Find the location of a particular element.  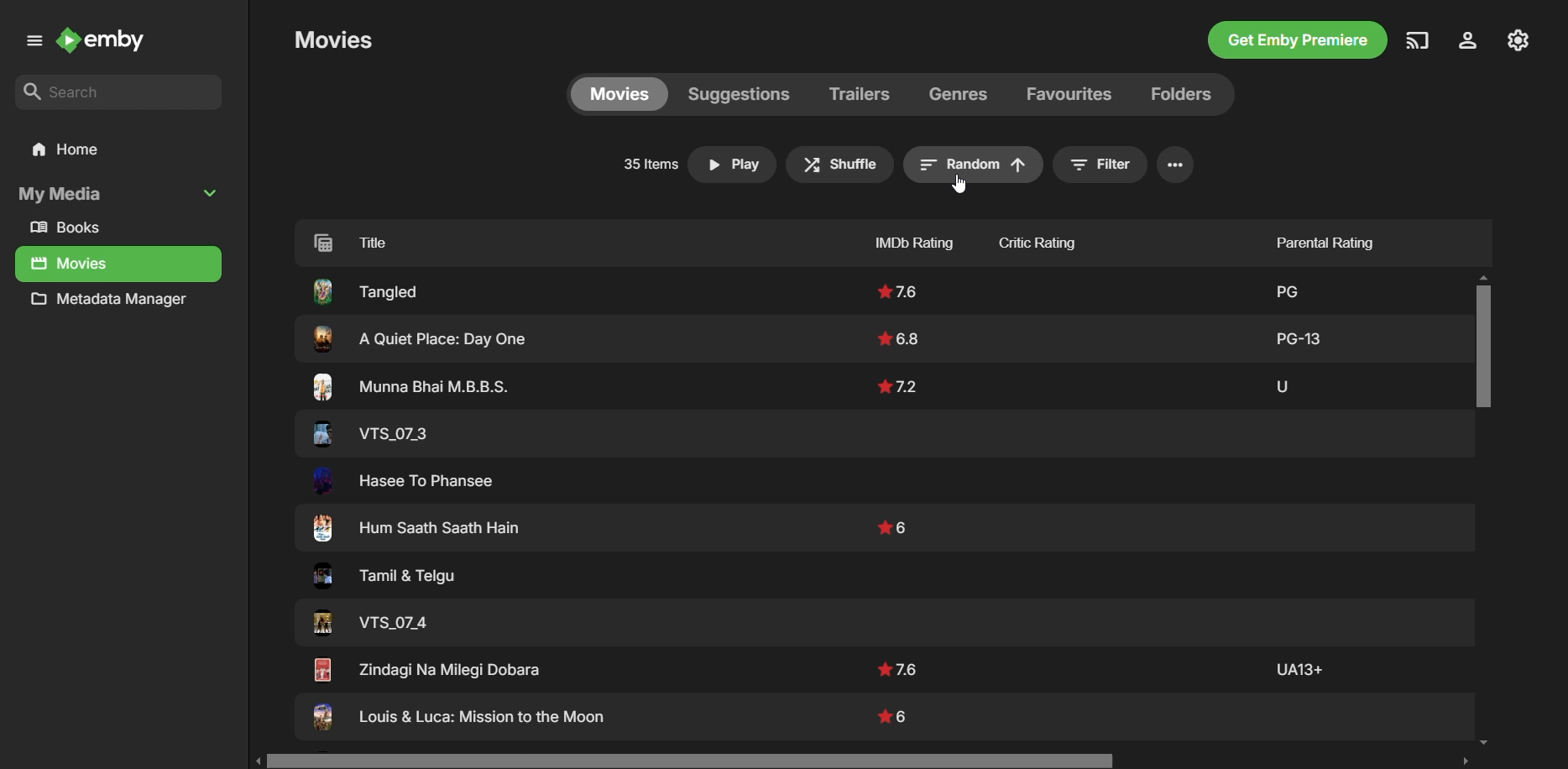

Settings is located at coordinates (1175, 165).